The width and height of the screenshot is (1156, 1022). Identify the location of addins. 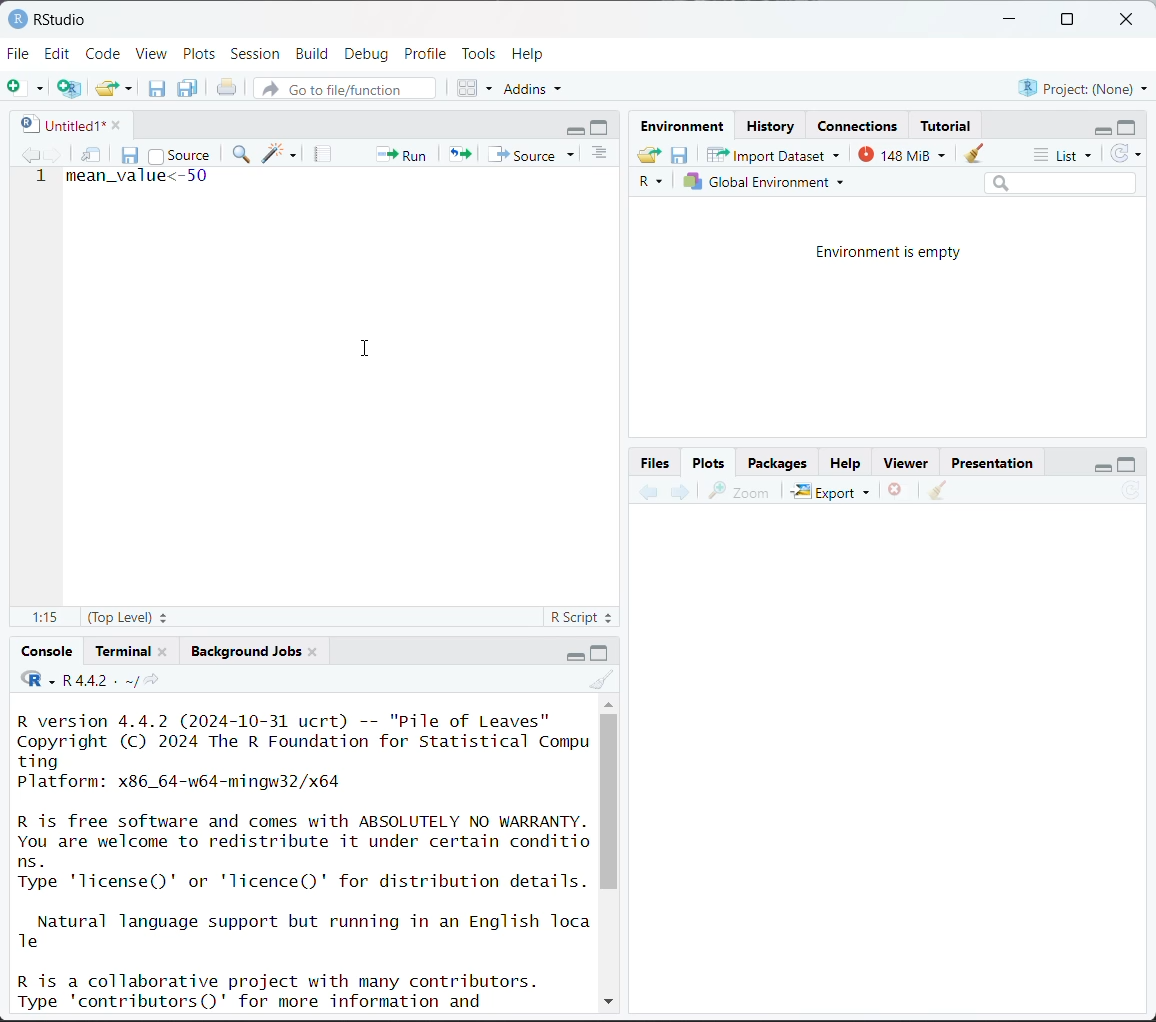
(536, 88).